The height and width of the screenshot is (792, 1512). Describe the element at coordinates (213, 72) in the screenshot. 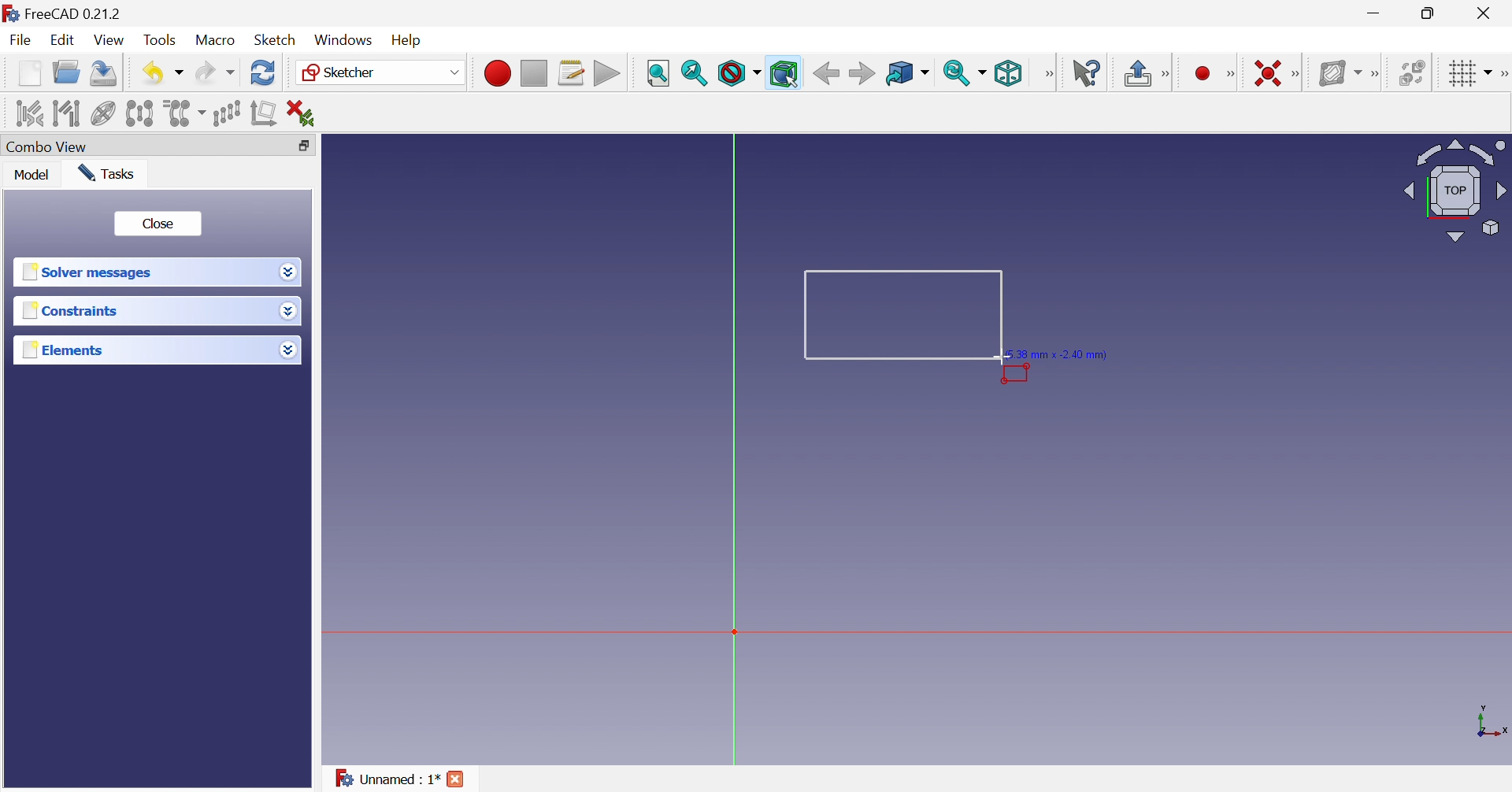

I see `Redo` at that location.